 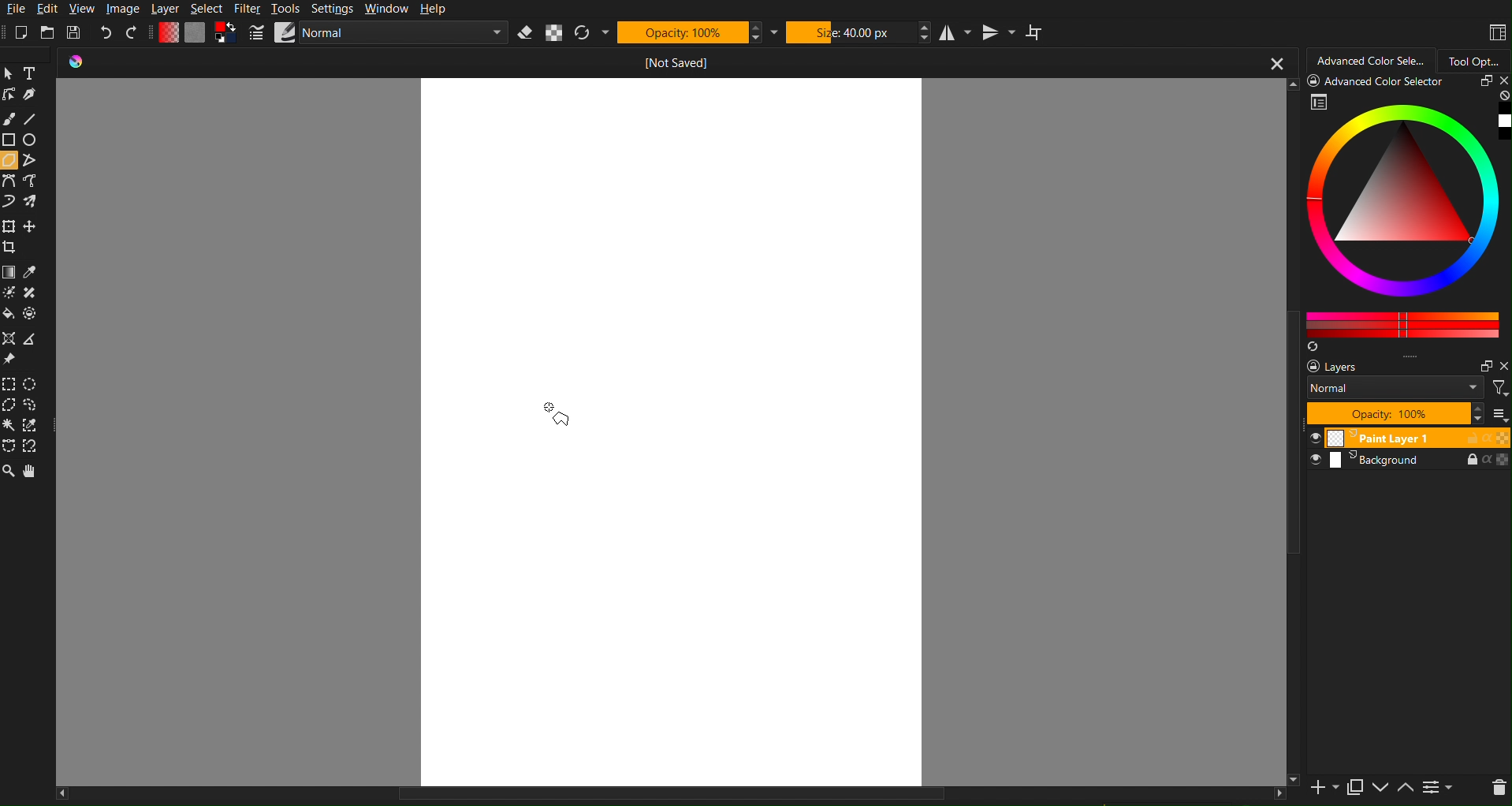 What do you see at coordinates (10, 118) in the screenshot?
I see `Brush Tools` at bounding box center [10, 118].